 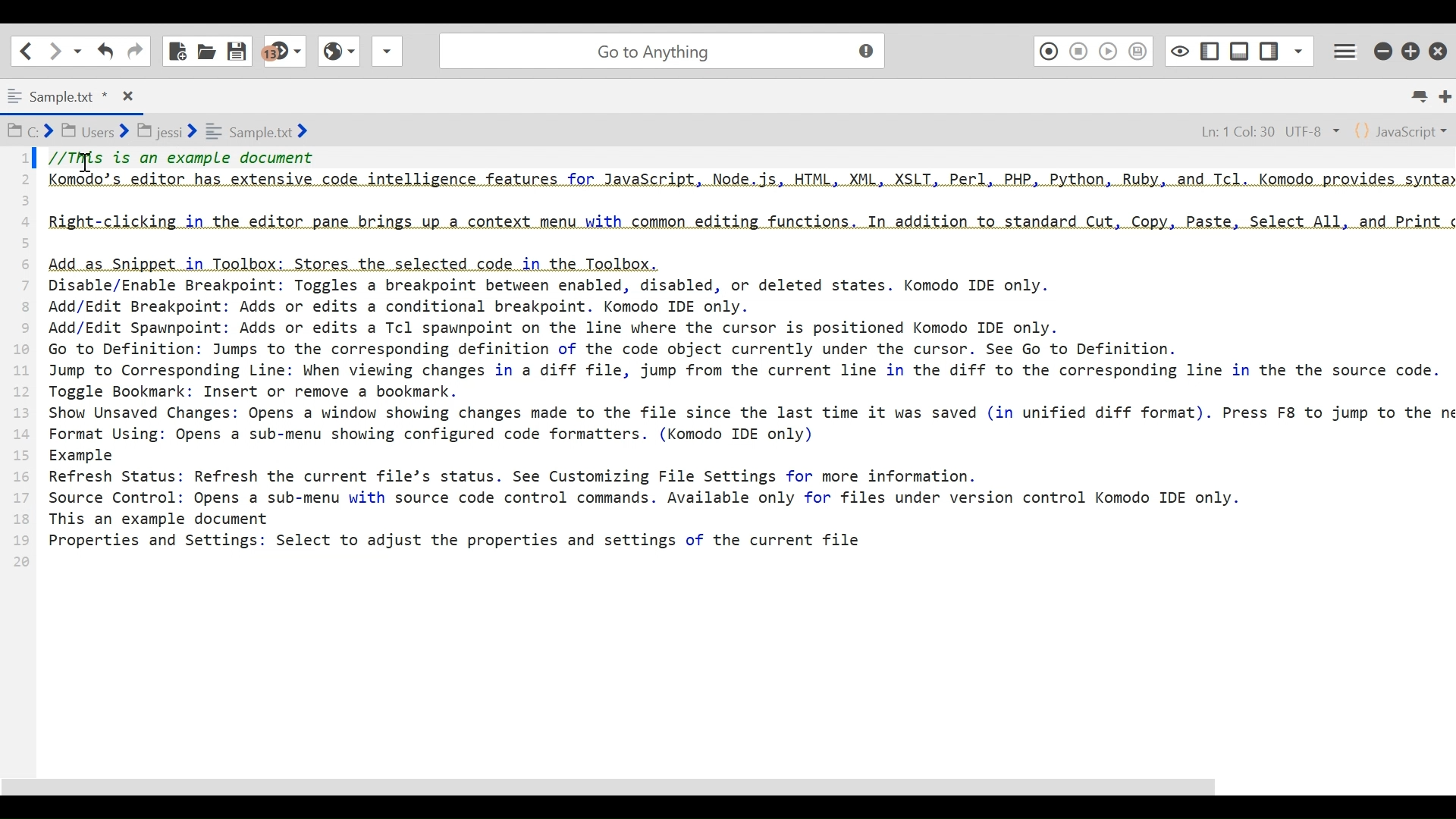 What do you see at coordinates (1209, 49) in the screenshot?
I see `Show/Hide Right Side Panel` at bounding box center [1209, 49].